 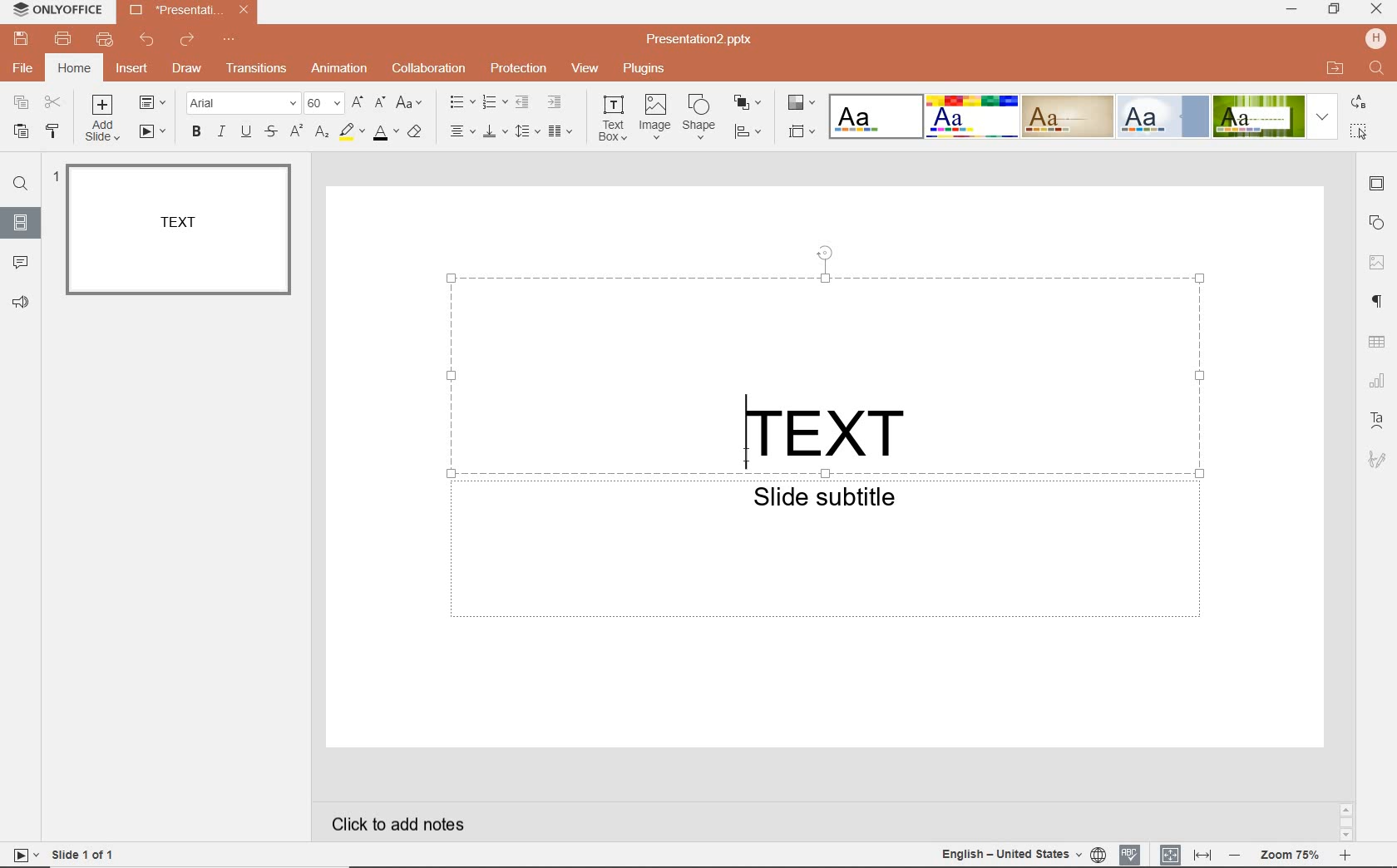 What do you see at coordinates (586, 70) in the screenshot?
I see `VIEW` at bounding box center [586, 70].